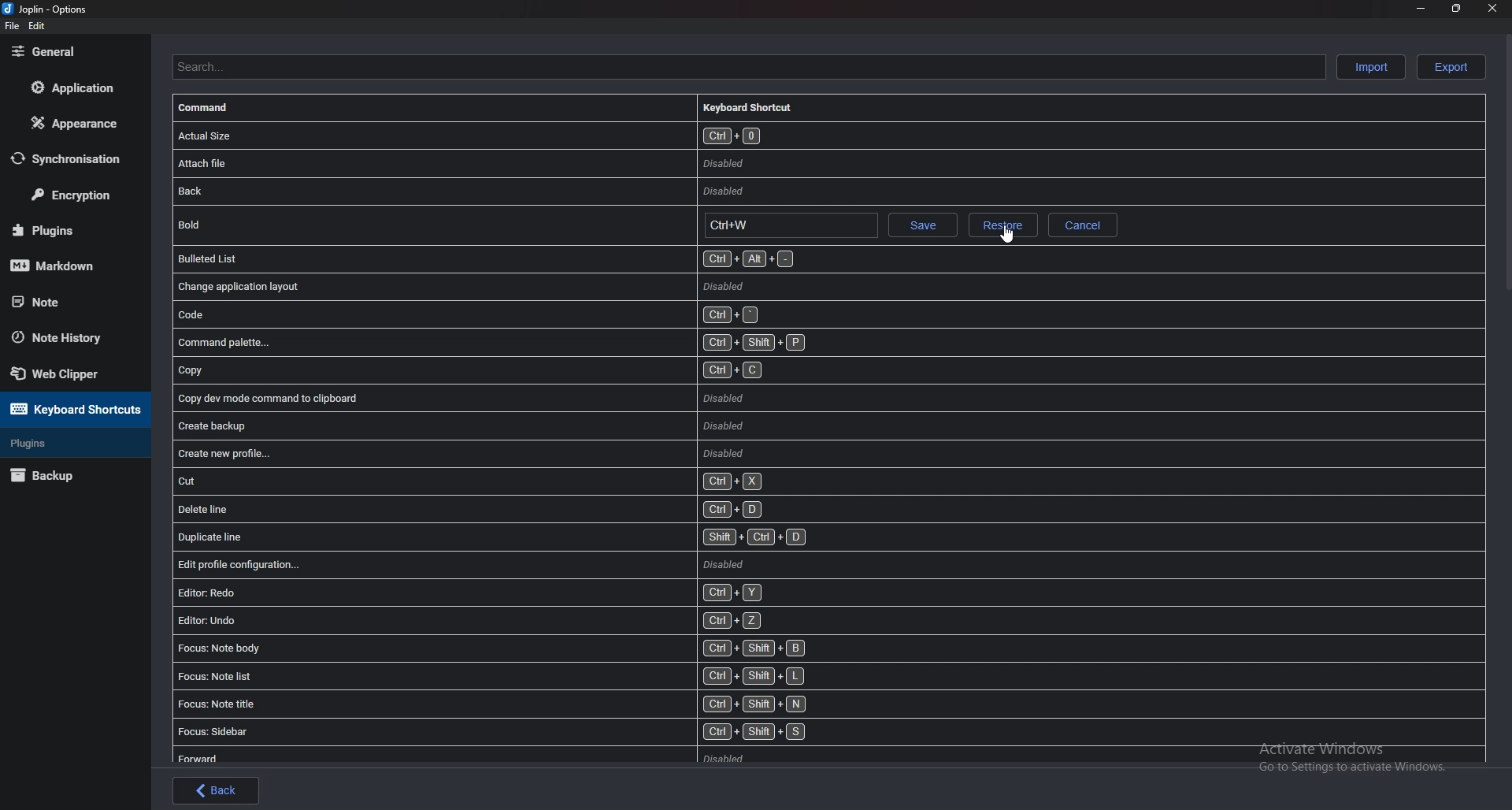  What do you see at coordinates (65, 302) in the screenshot?
I see `note` at bounding box center [65, 302].